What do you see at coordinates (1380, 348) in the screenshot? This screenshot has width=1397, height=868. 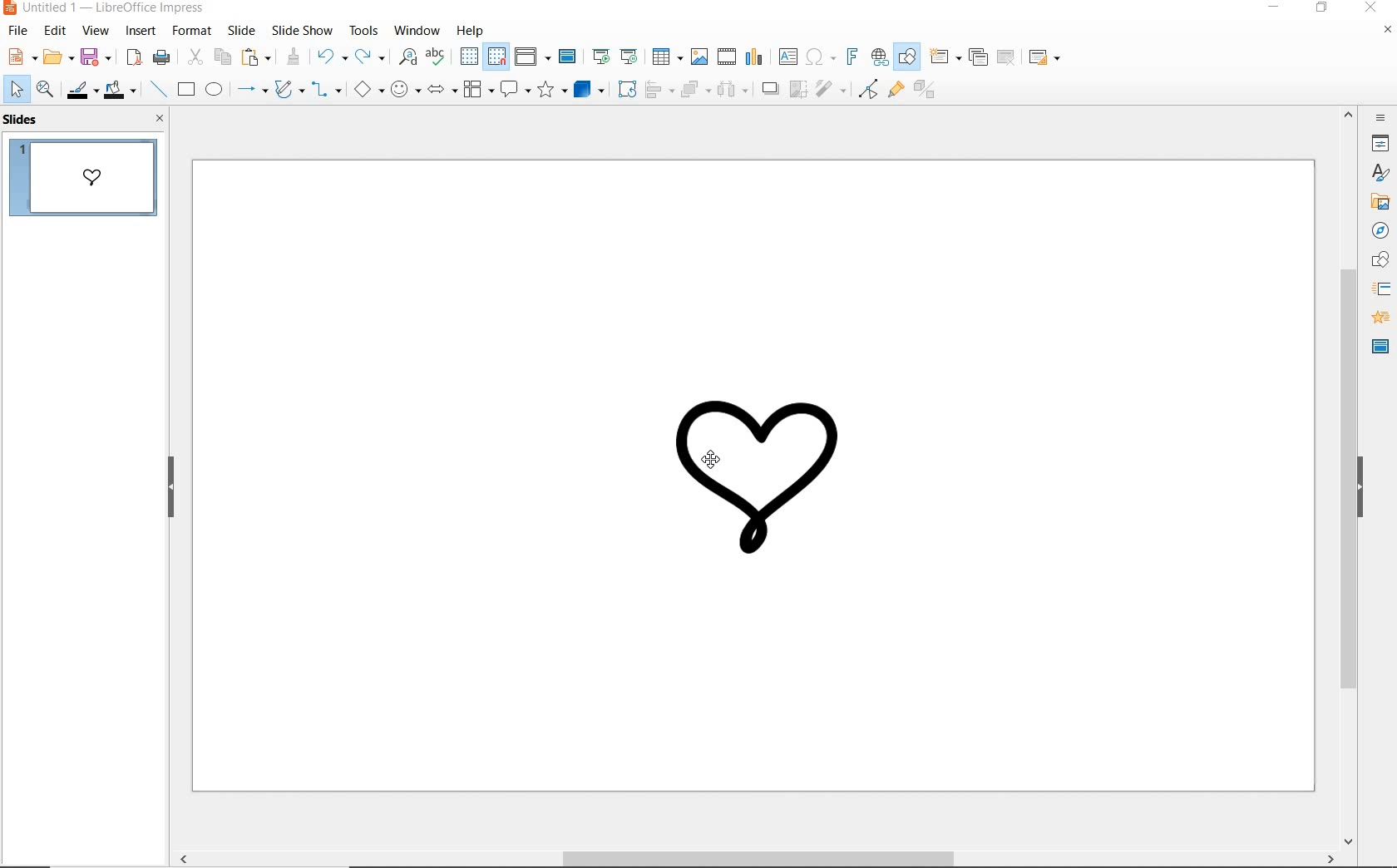 I see `MASTER SLIDE` at bounding box center [1380, 348].